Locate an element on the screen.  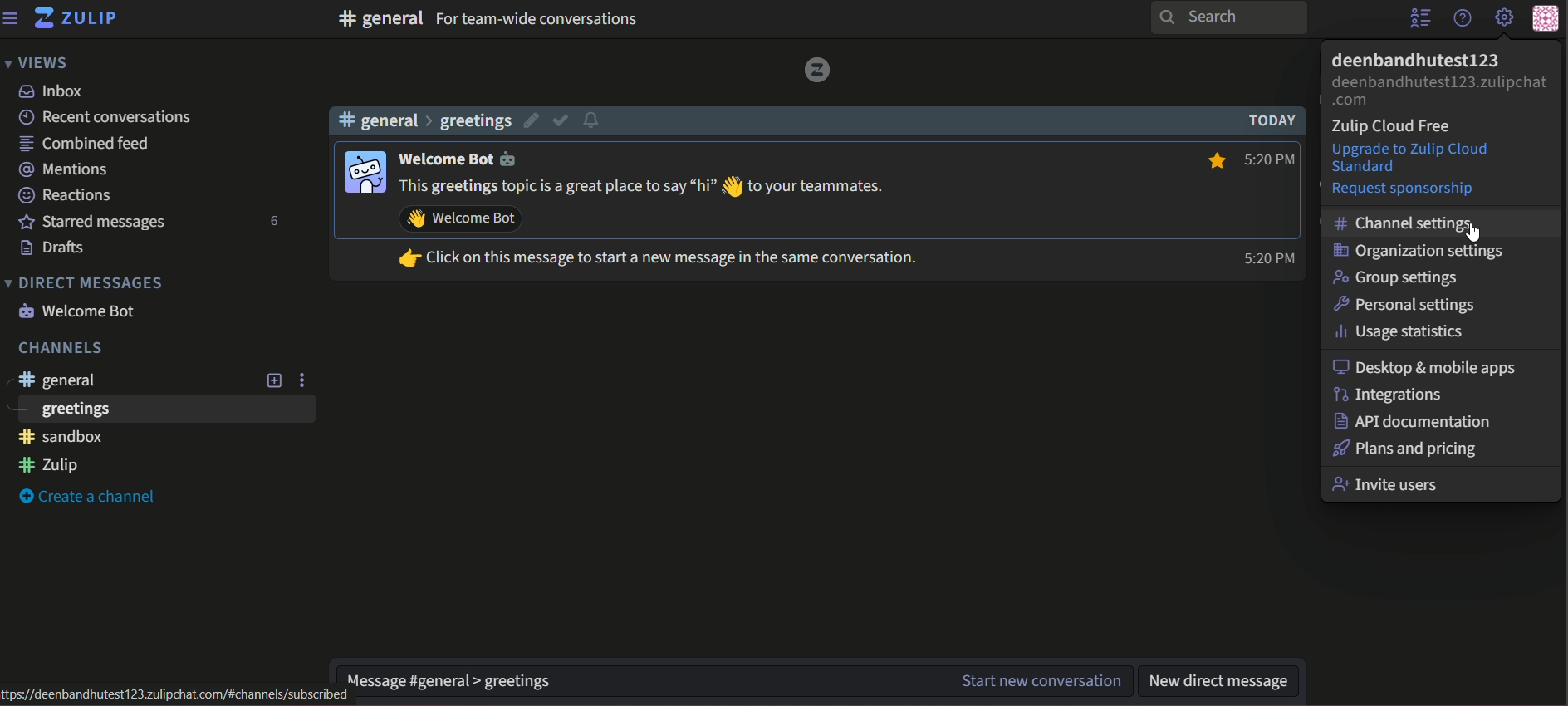
invite users is located at coordinates (1389, 484).